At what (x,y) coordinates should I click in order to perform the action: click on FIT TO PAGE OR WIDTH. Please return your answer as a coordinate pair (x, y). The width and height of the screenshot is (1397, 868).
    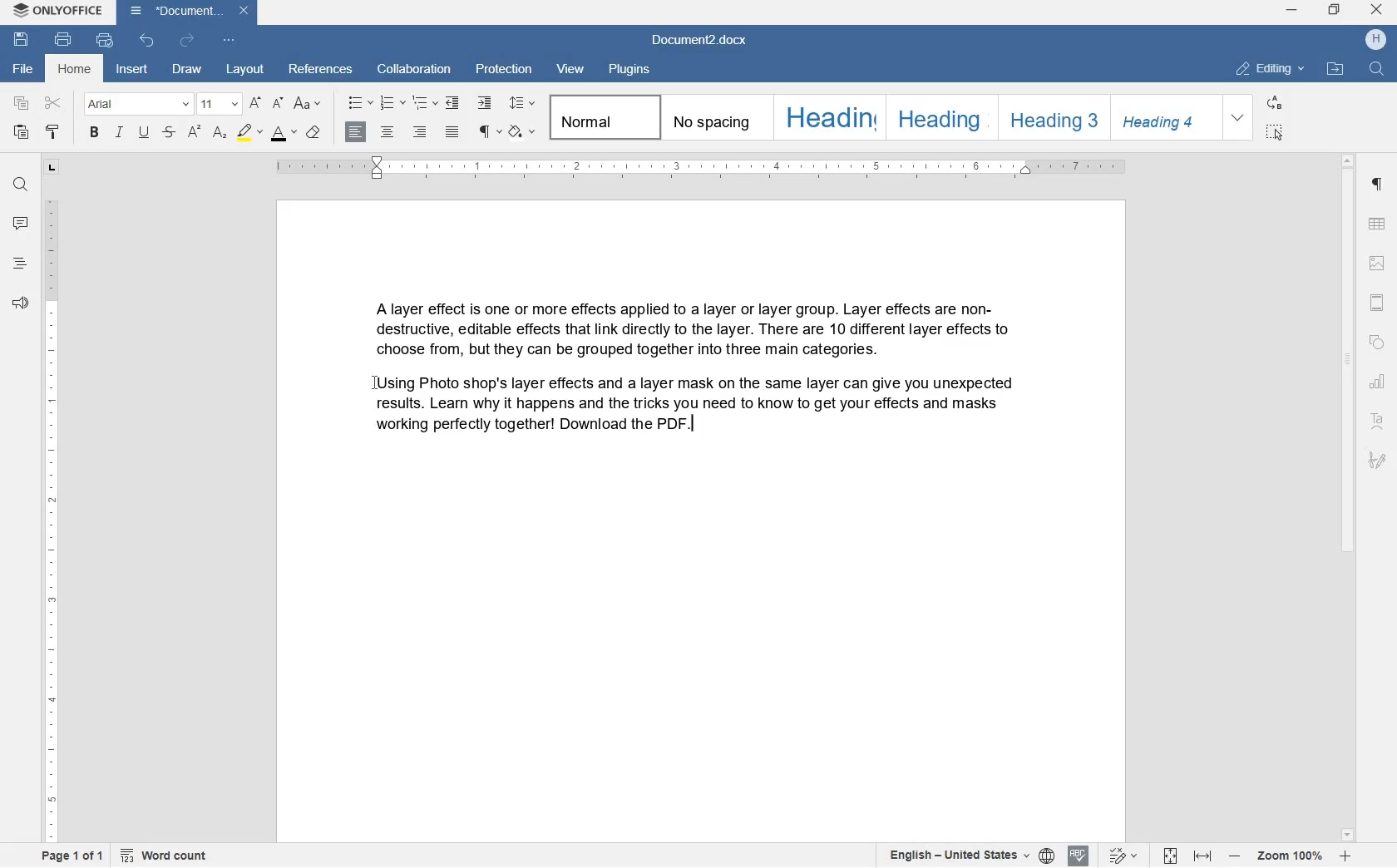
    Looking at the image, I should click on (1187, 856).